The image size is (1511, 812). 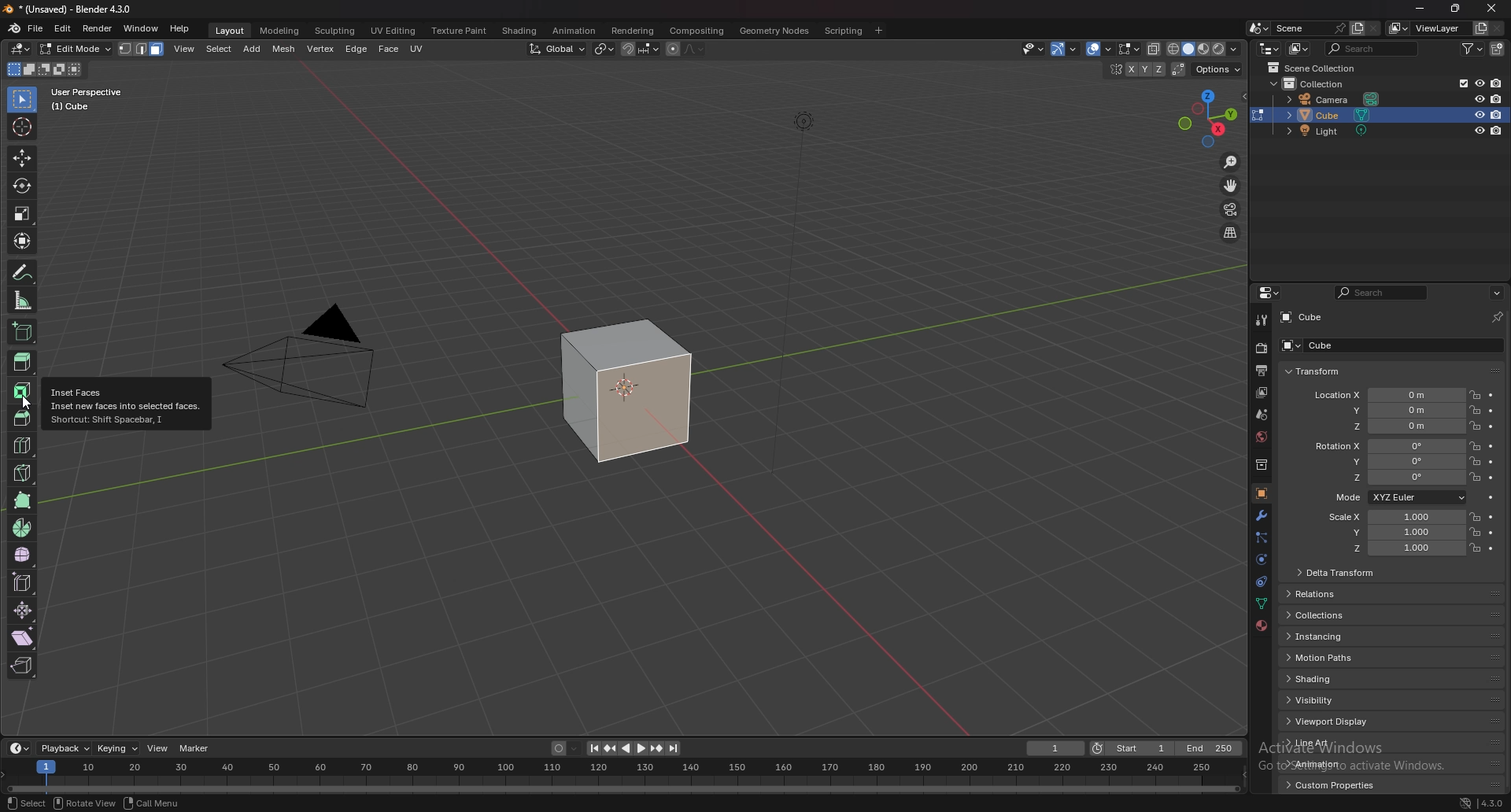 What do you see at coordinates (696, 31) in the screenshot?
I see `compositing` at bounding box center [696, 31].